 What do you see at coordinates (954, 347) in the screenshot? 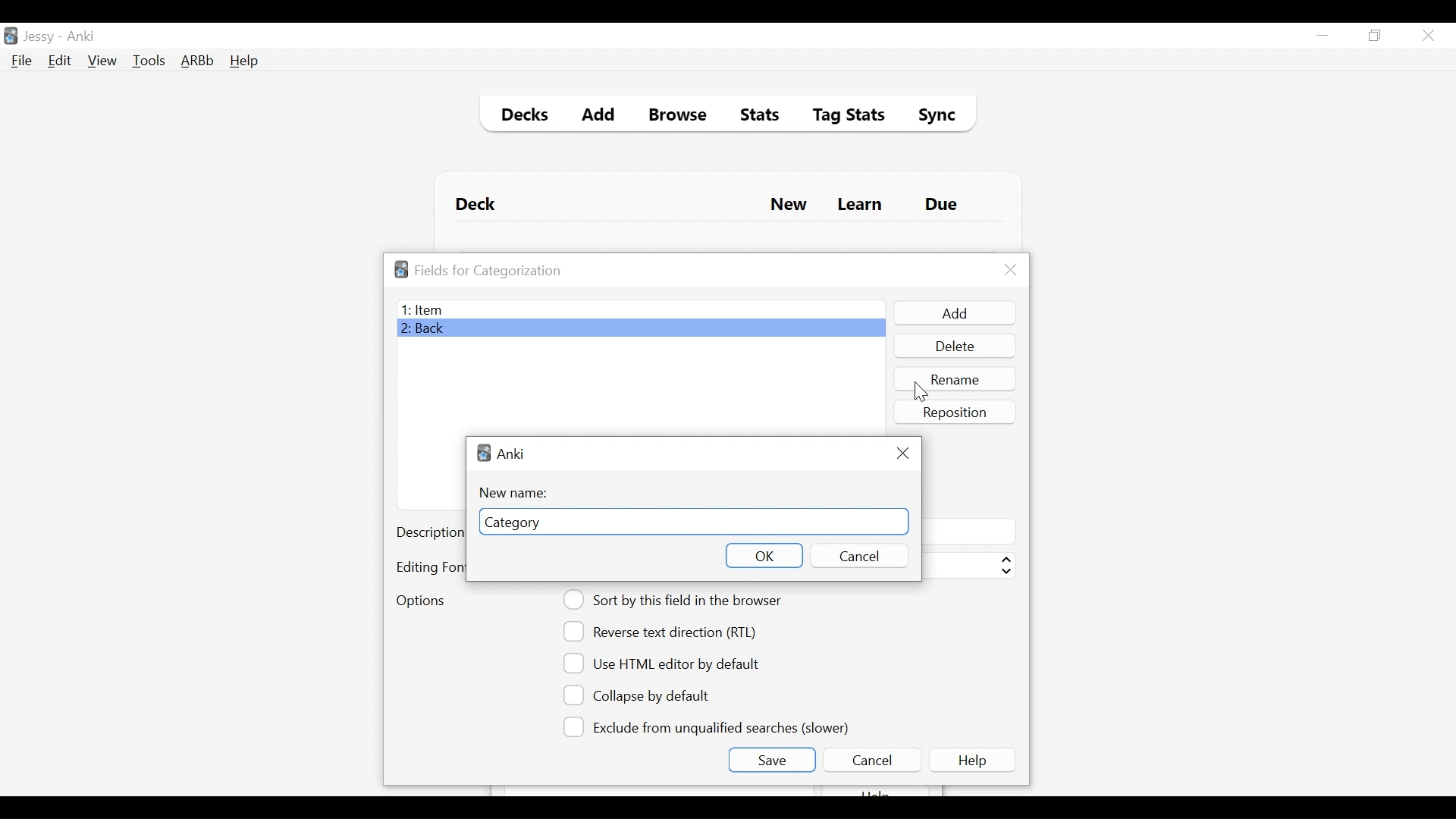
I see `Delete` at bounding box center [954, 347].